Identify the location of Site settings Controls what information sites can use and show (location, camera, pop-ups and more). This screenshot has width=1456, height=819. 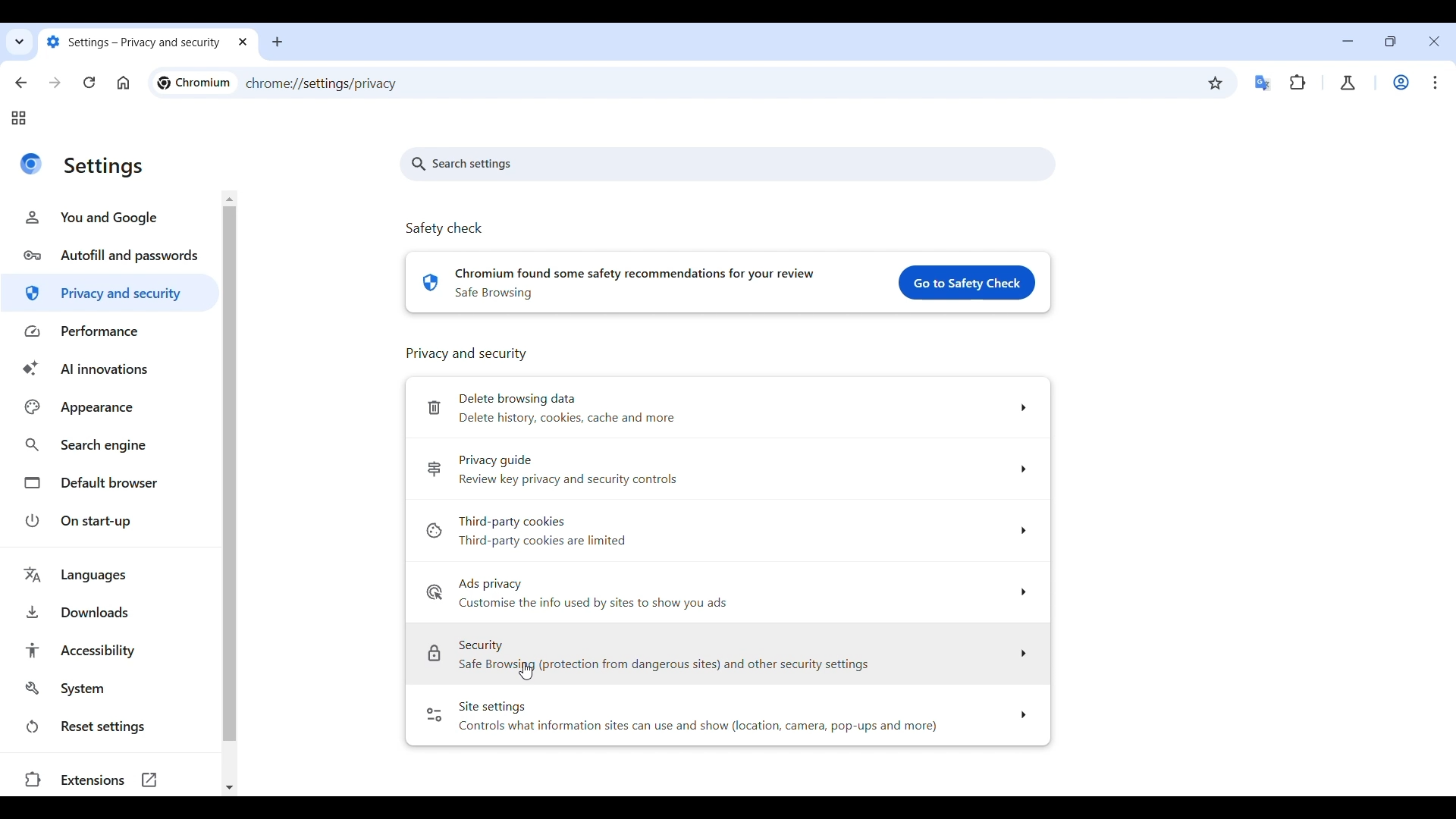
(728, 718).